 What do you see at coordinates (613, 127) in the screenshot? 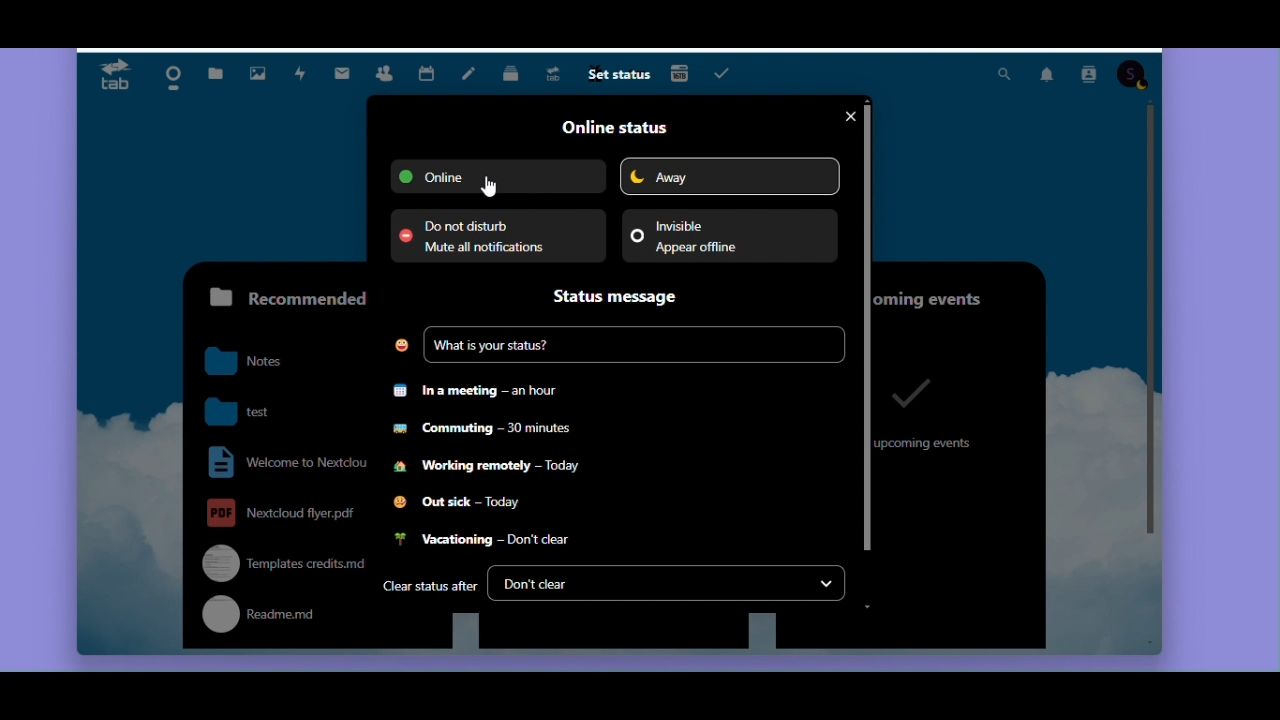
I see `Online status` at bounding box center [613, 127].